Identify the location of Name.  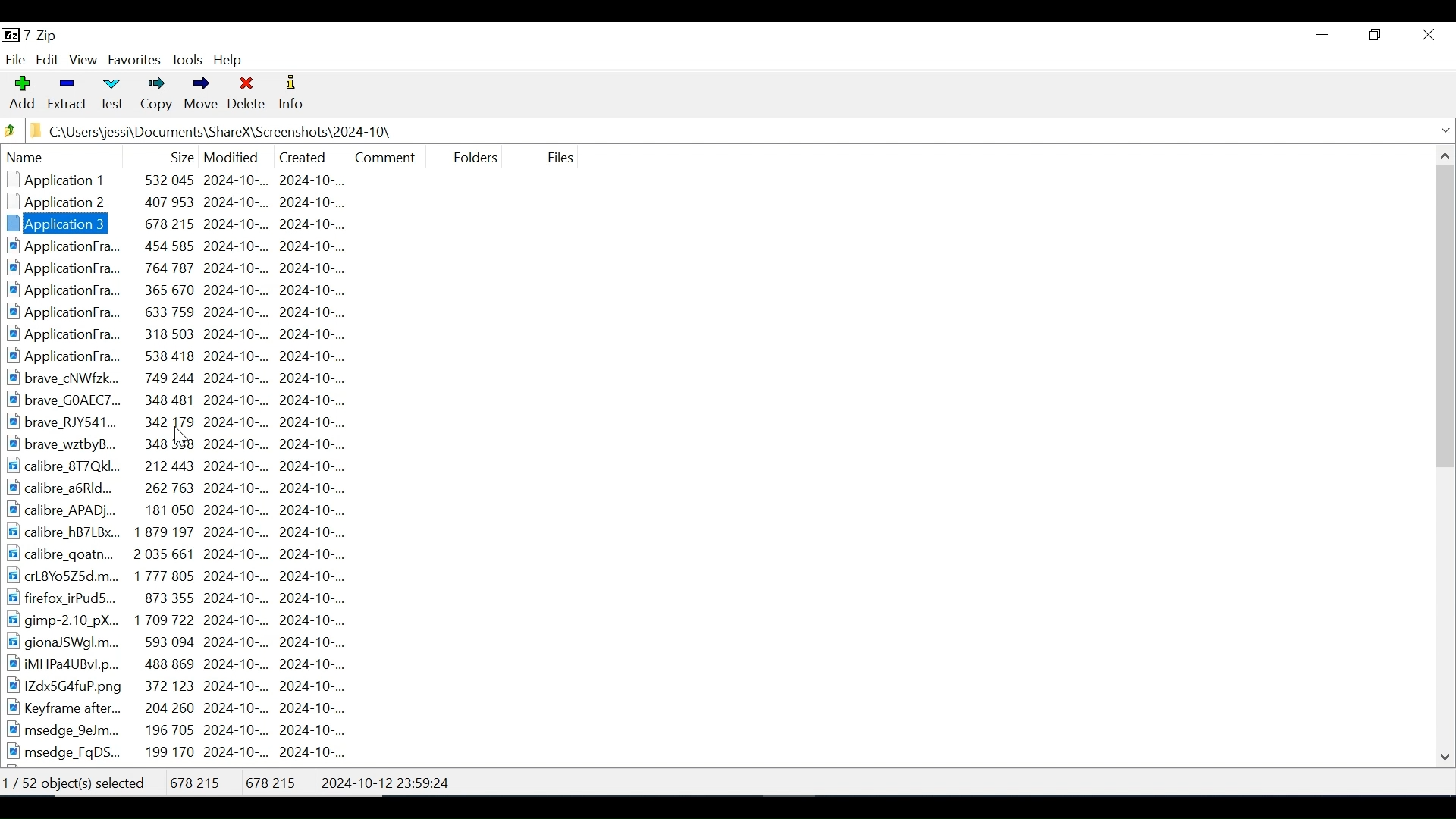
(77, 158).